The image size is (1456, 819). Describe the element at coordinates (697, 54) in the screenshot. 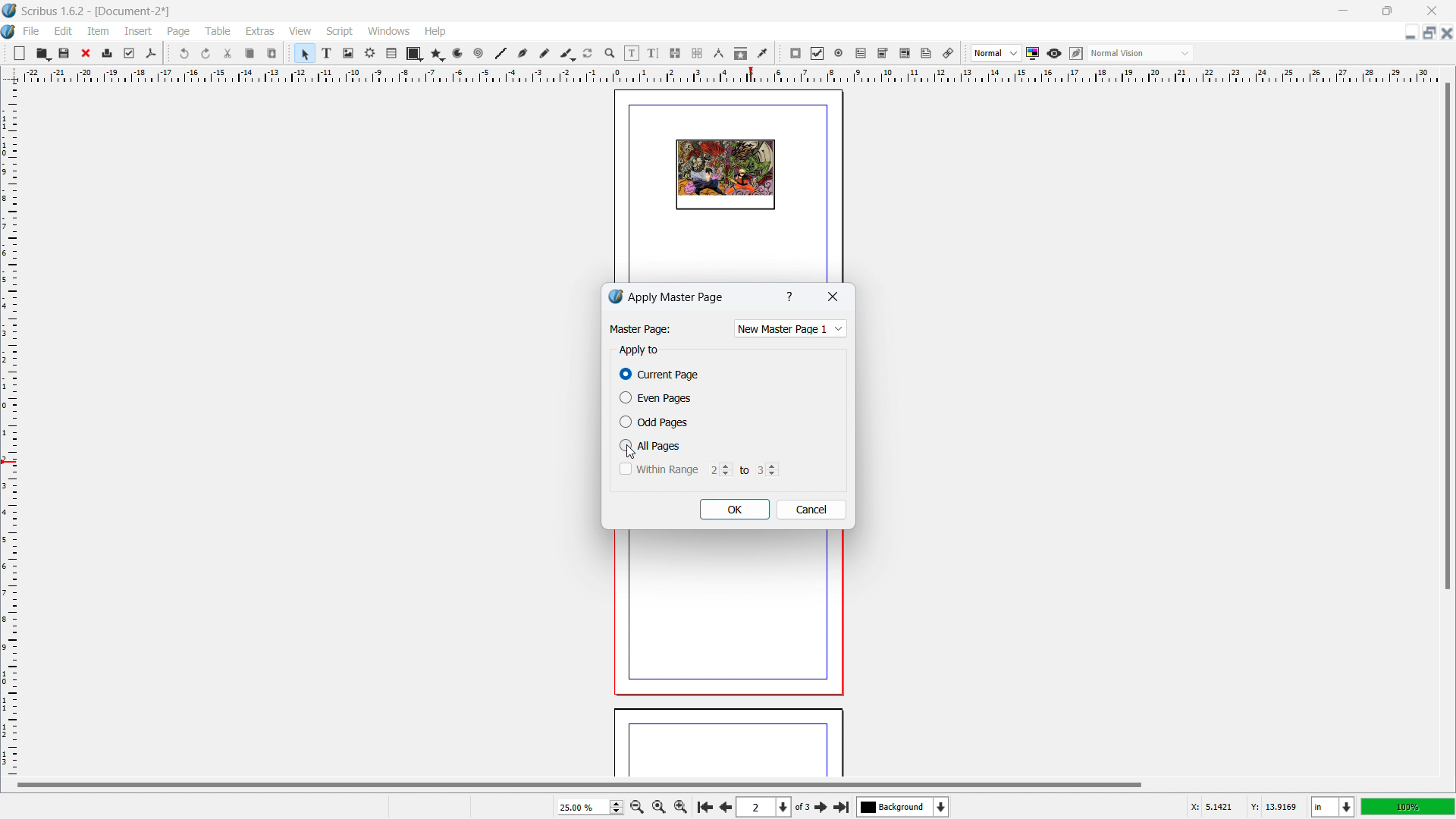

I see `unlink text frames` at that location.